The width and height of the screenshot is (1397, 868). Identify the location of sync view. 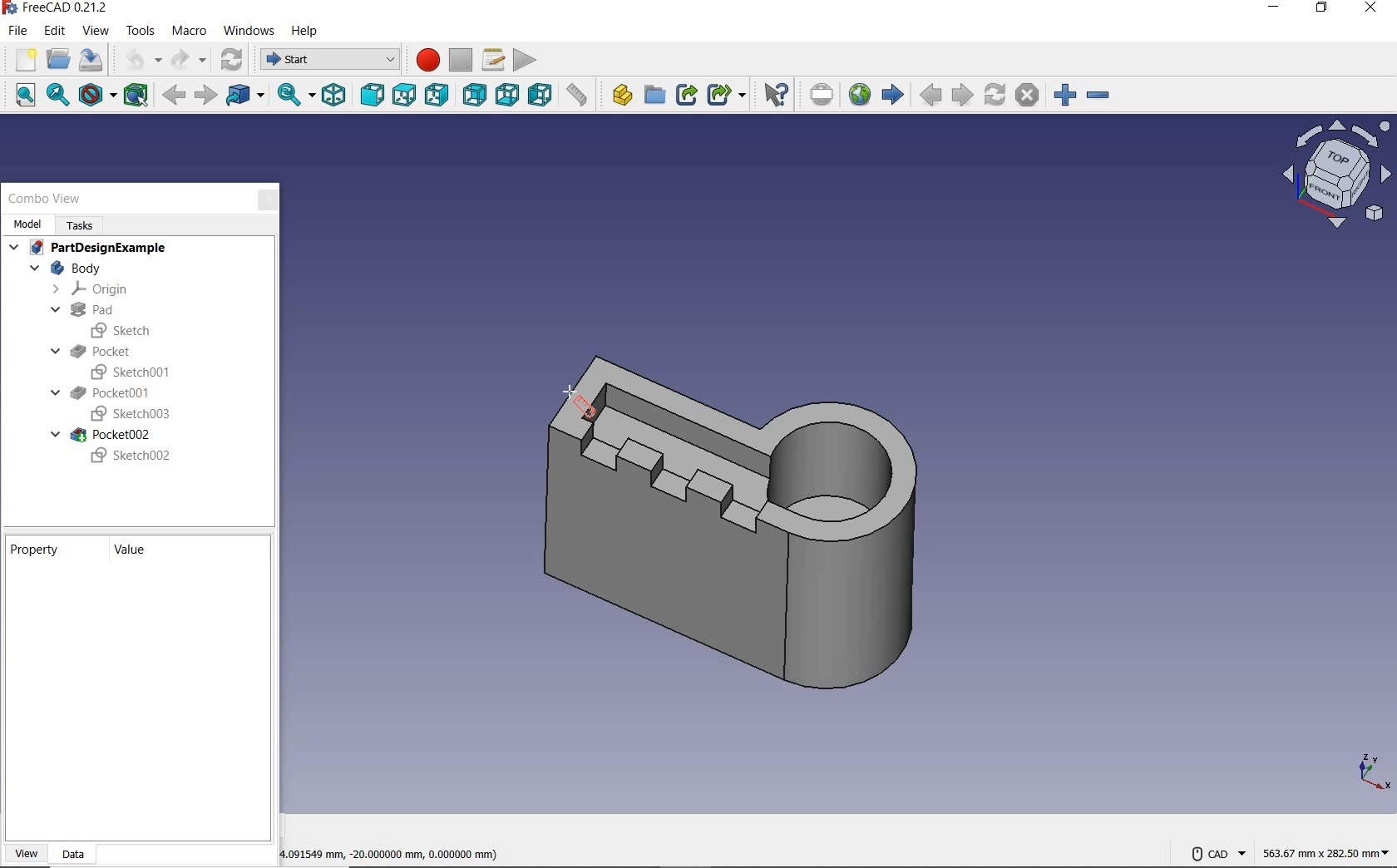
(293, 96).